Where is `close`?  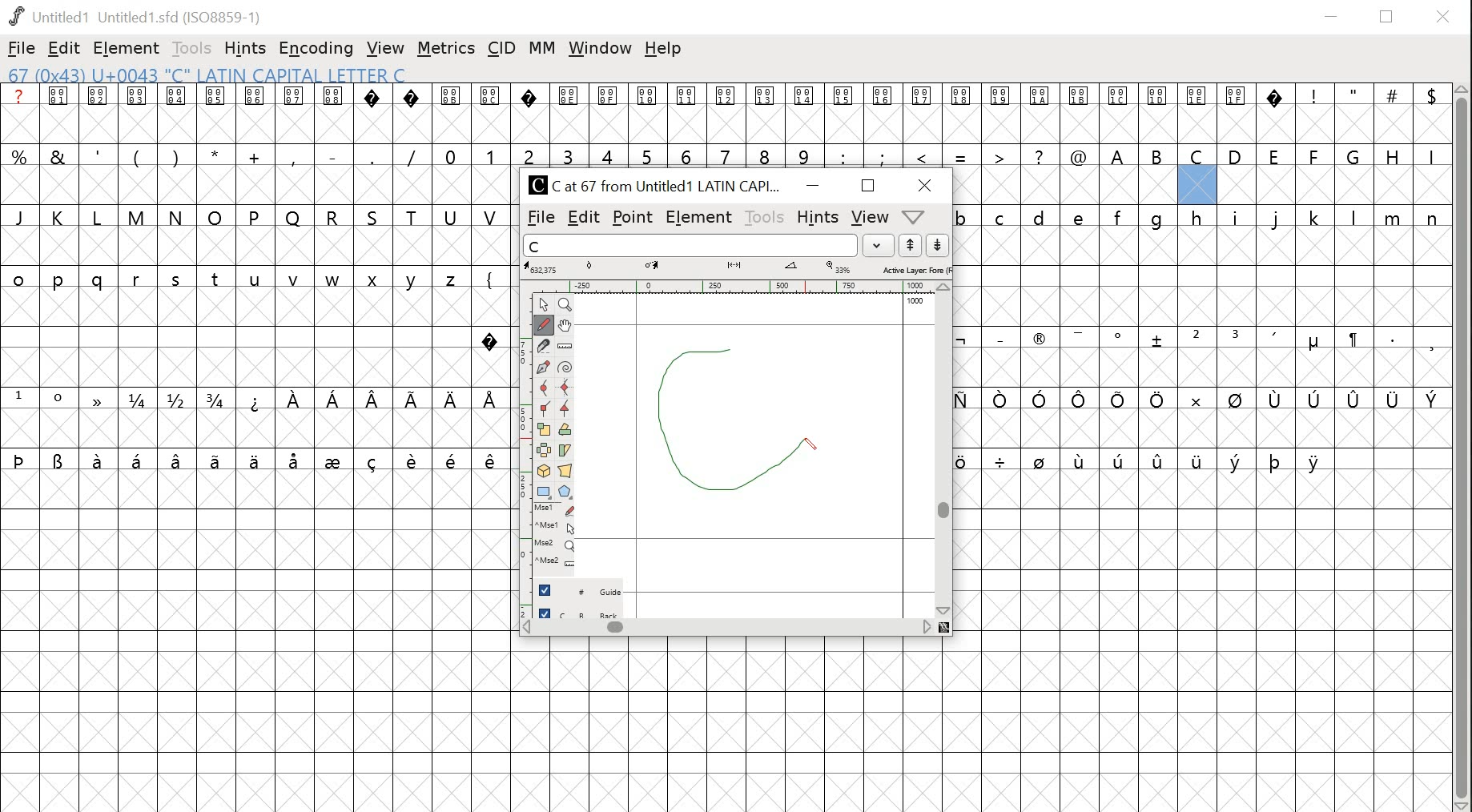
close is located at coordinates (1445, 16).